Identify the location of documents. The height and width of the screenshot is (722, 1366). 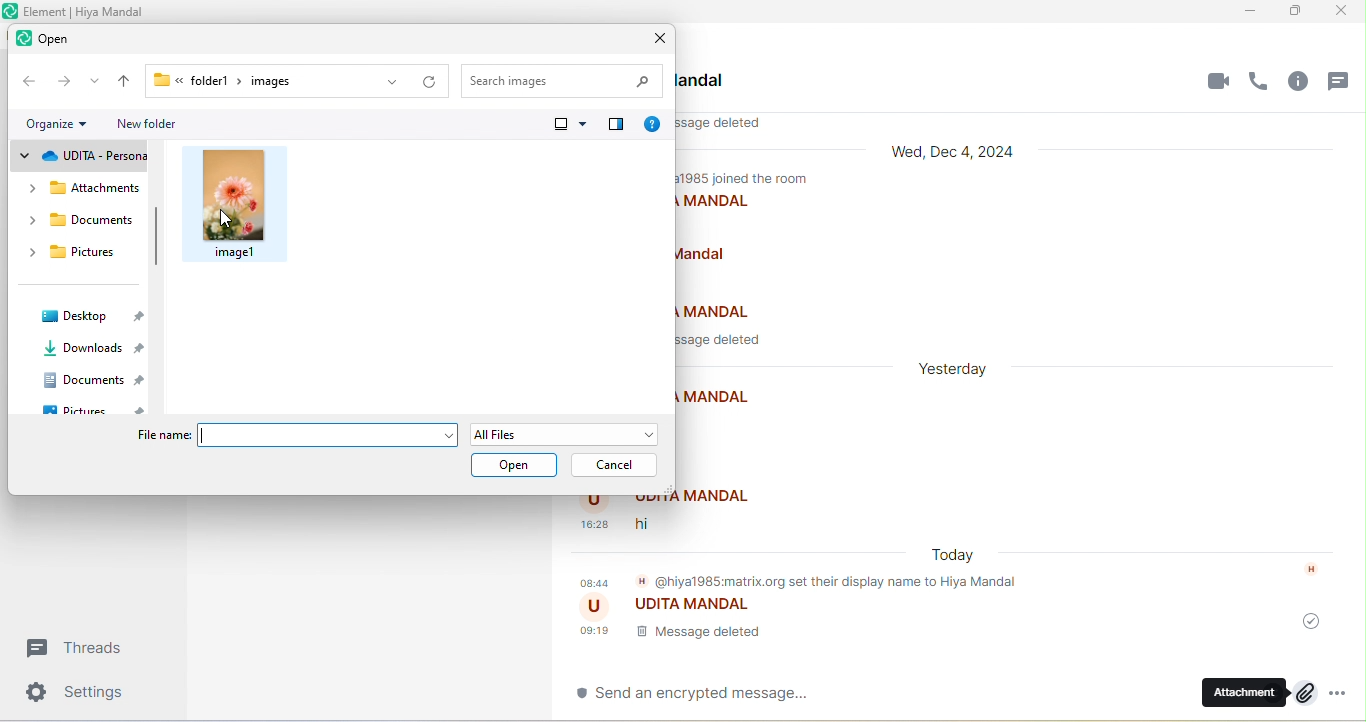
(94, 383).